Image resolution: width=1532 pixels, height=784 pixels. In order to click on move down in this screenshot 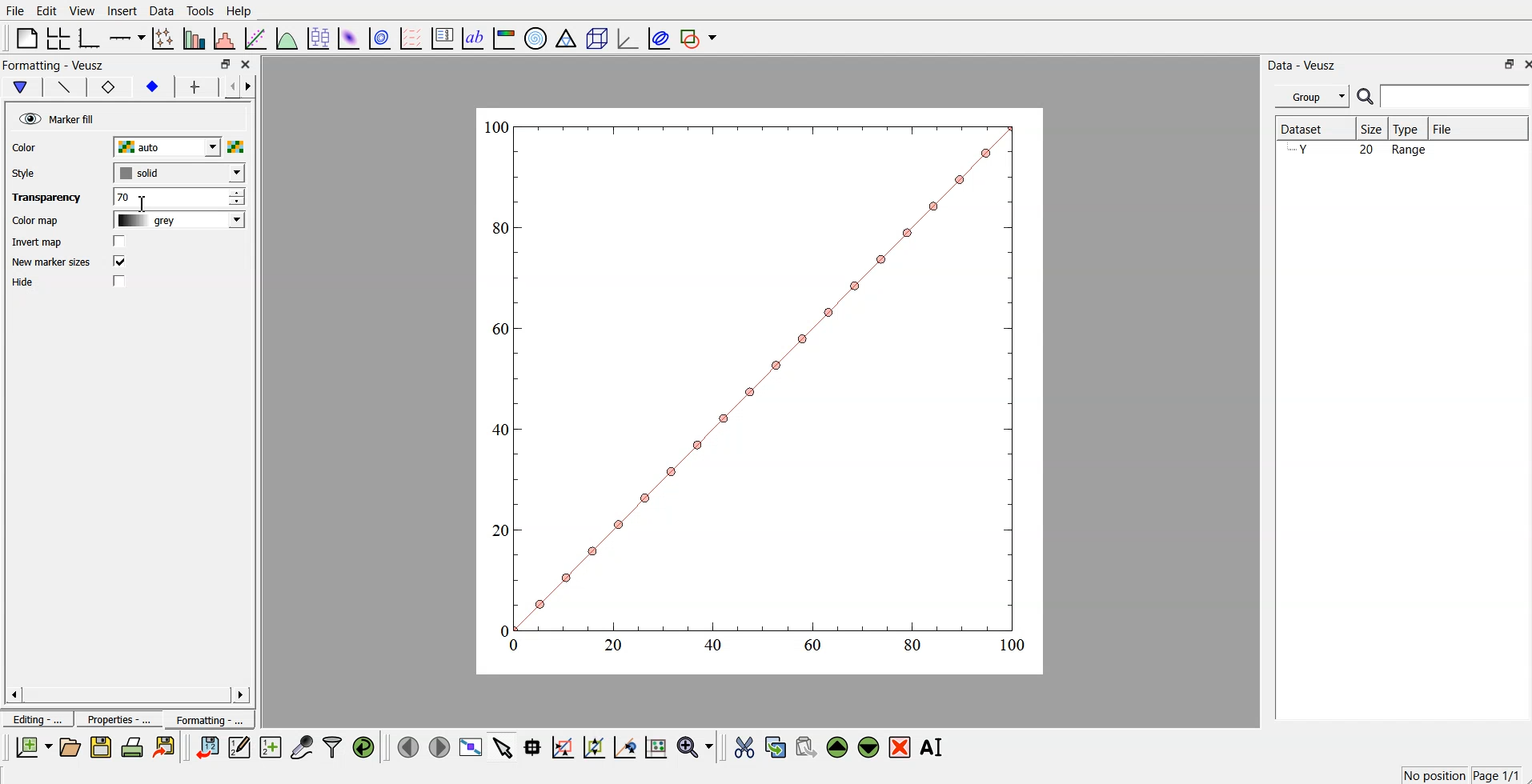, I will do `click(869, 746)`.